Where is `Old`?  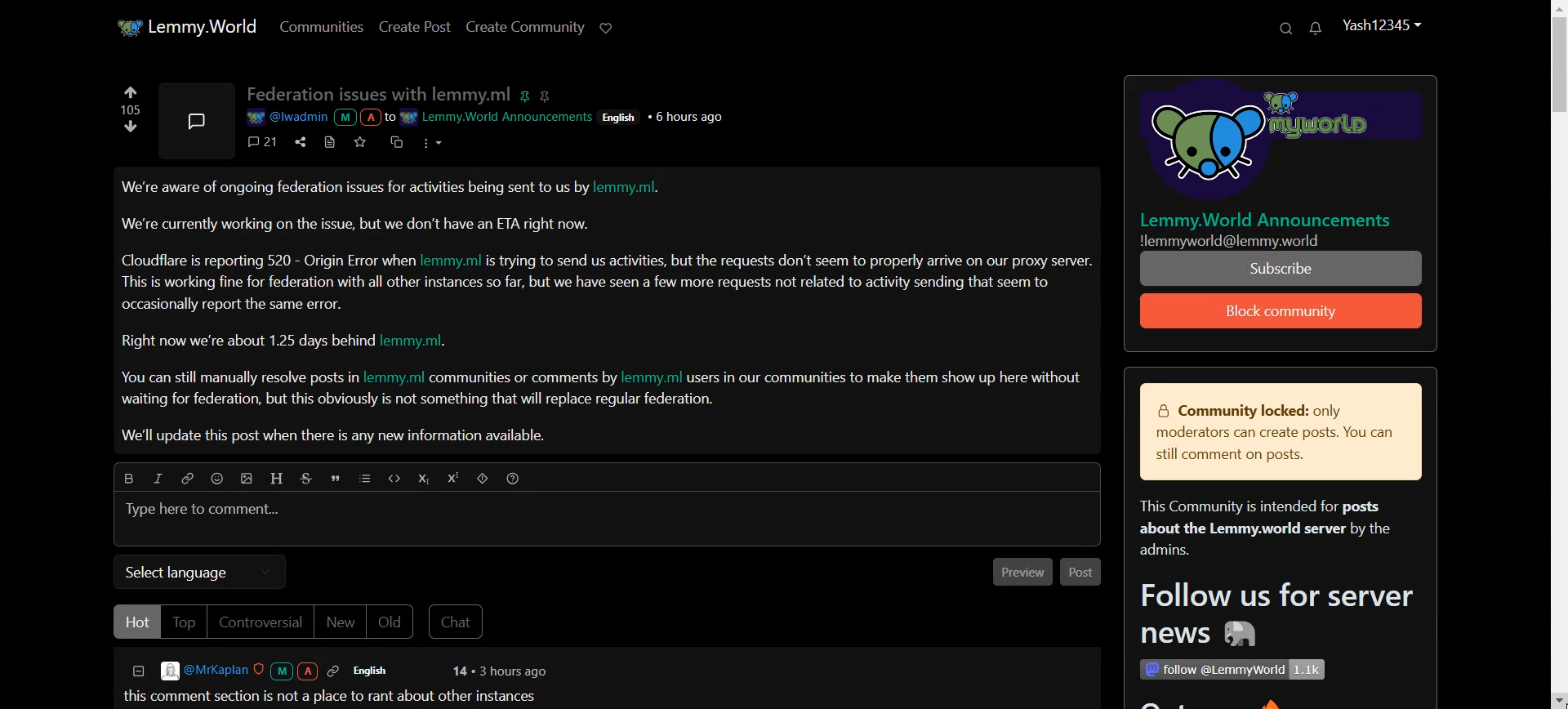
Old is located at coordinates (390, 622).